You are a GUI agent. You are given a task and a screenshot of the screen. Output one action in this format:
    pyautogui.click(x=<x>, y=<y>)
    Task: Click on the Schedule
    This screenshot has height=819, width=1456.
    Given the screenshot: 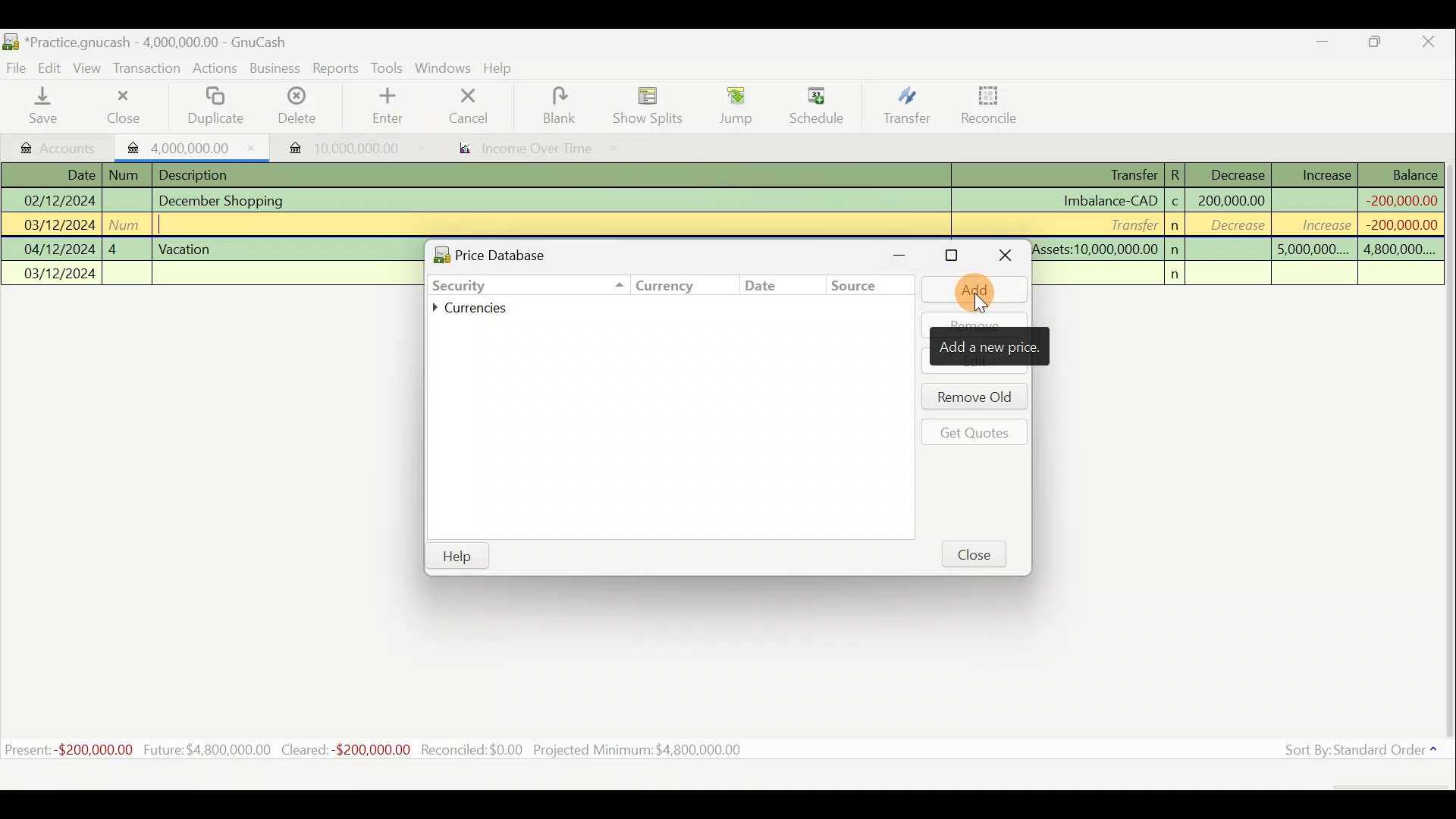 What is the action you would take?
    pyautogui.click(x=817, y=105)
    